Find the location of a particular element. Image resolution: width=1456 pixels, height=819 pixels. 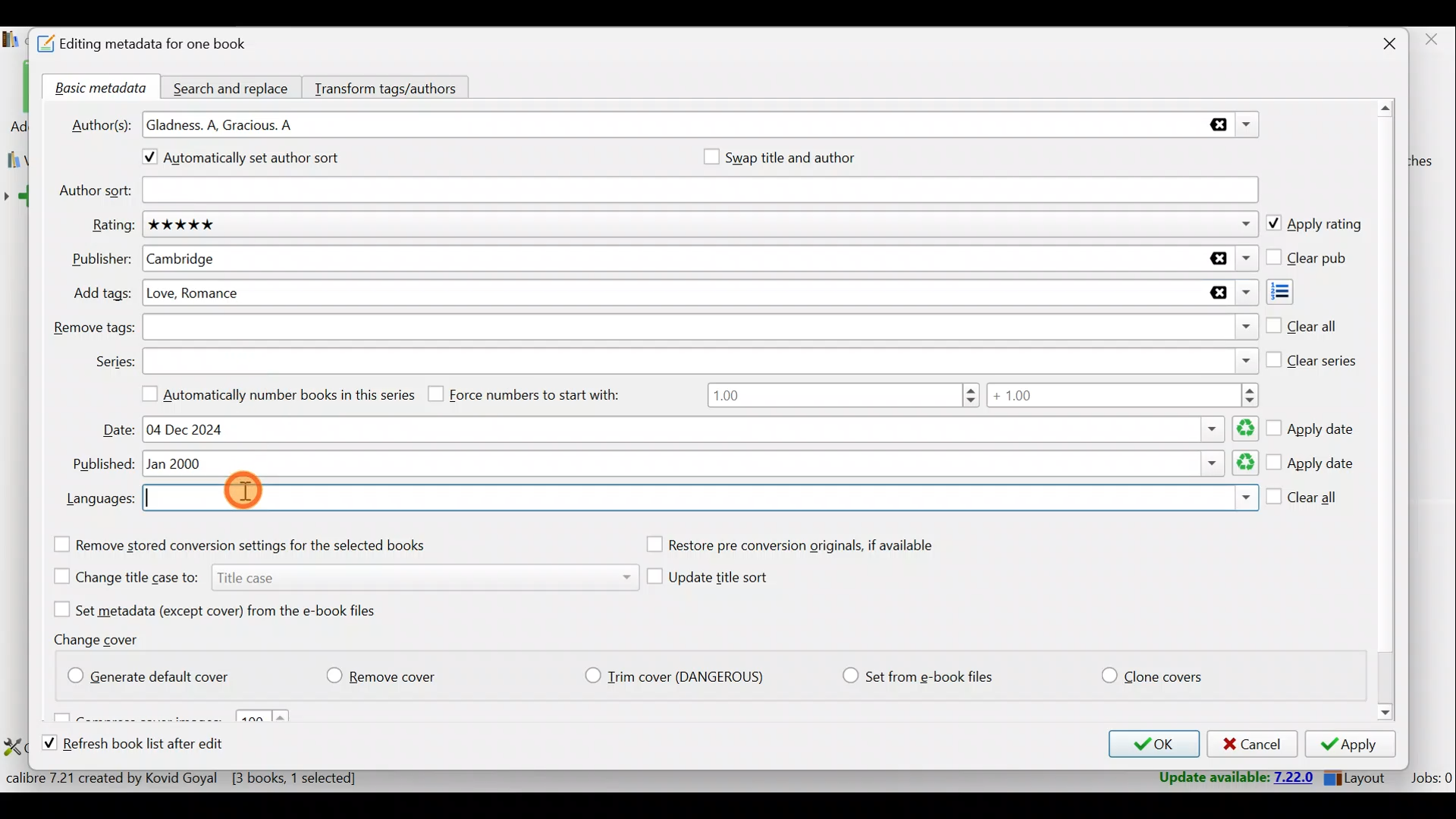

Authors is located at coordinates (702, 126).